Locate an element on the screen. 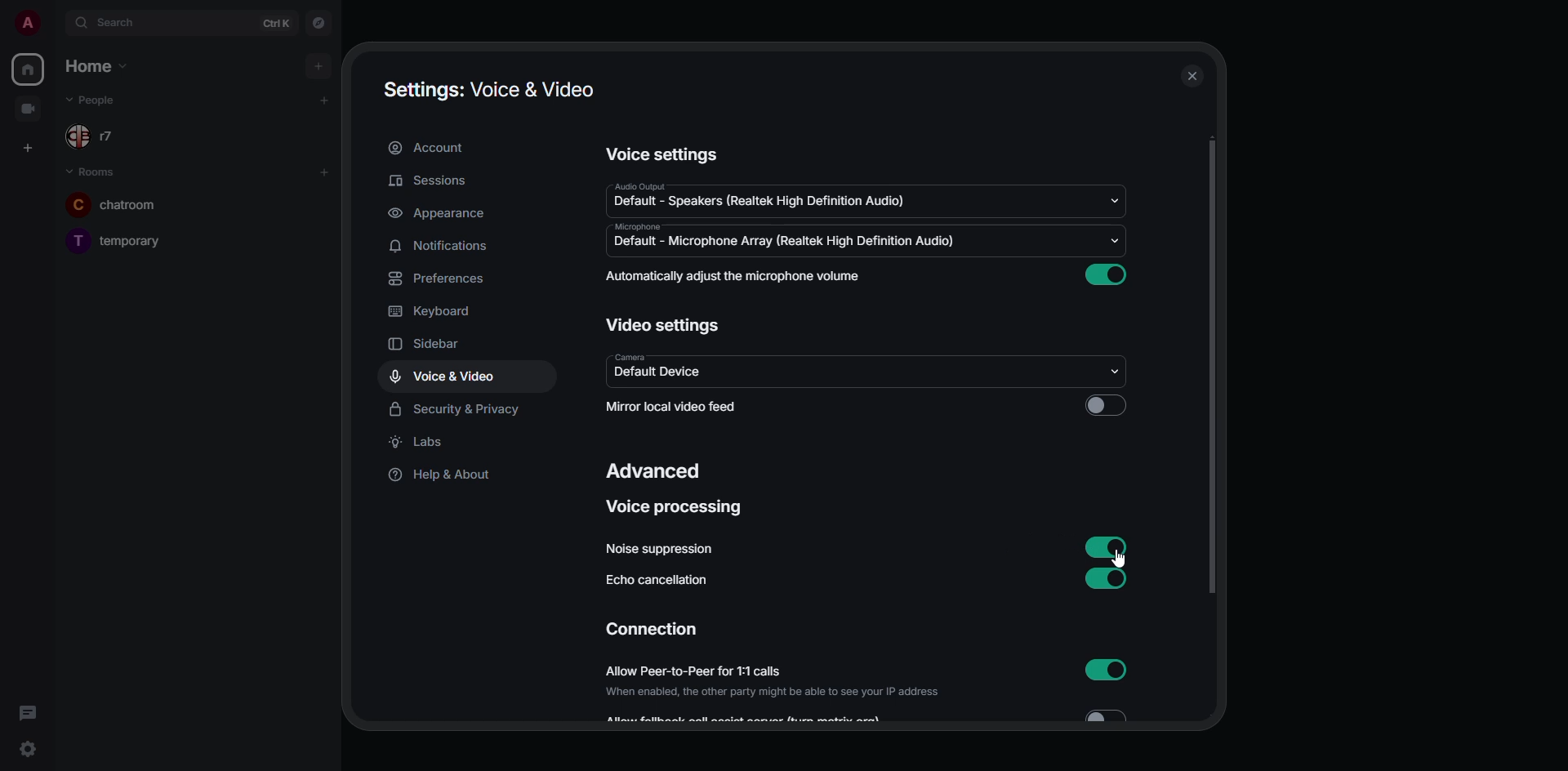 Image resolution: width=1568 pixels, height=771 pixels. drop down is located at coordinates (1117, 372).